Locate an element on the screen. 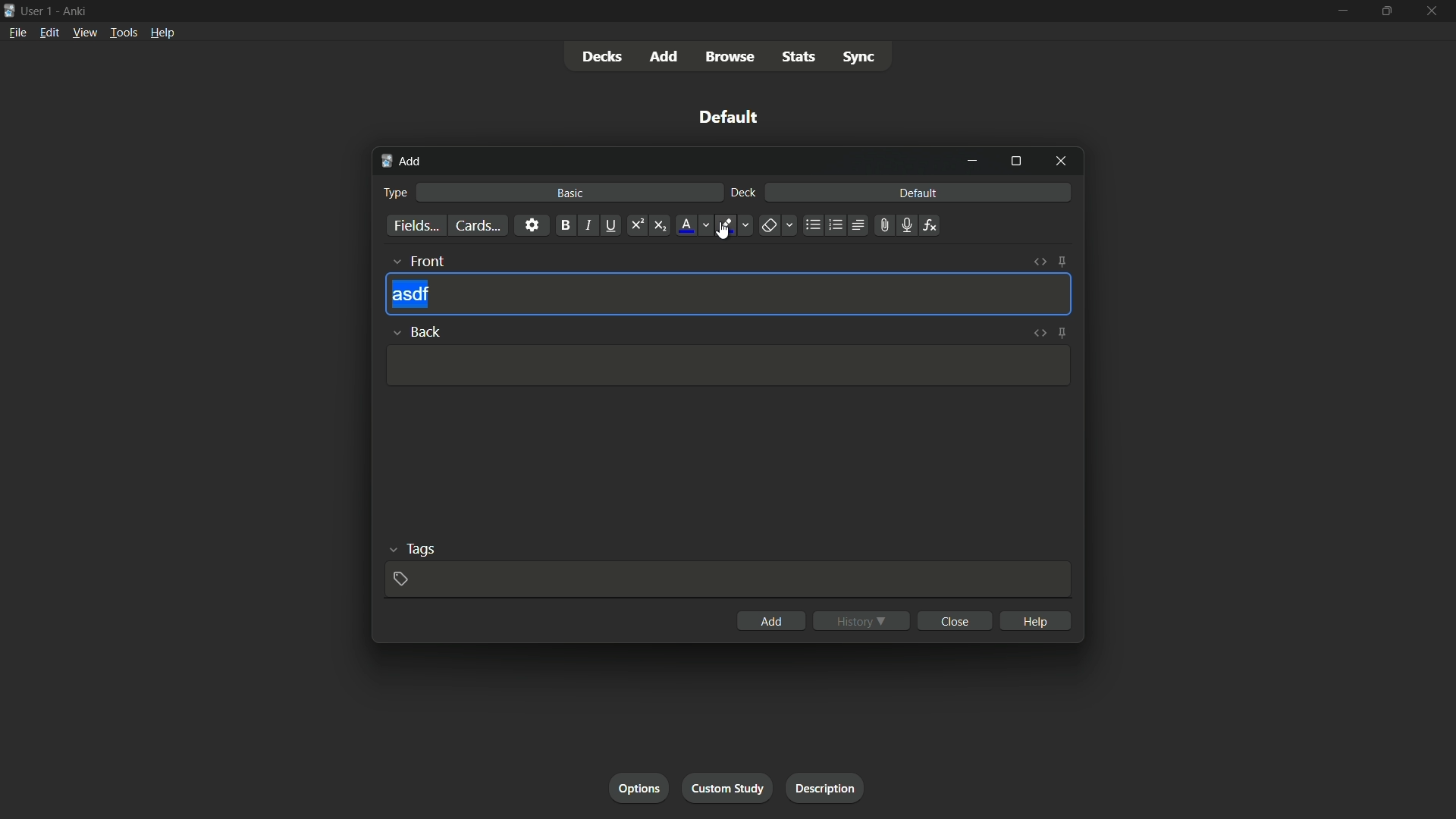  toggle sticky is located at coordinates (1063, 262).